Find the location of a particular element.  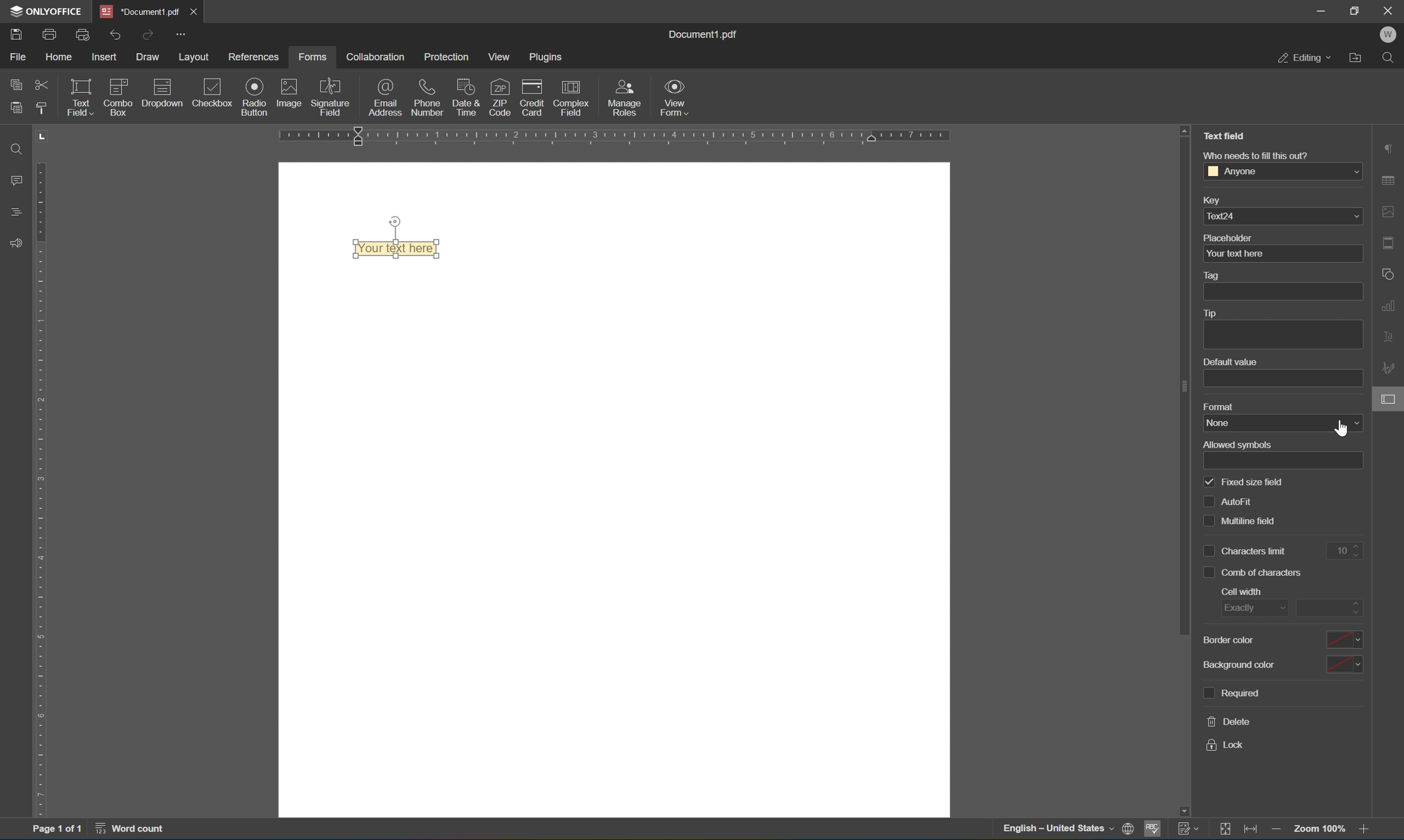

edit cell width is located at coordinates (1328, 608).